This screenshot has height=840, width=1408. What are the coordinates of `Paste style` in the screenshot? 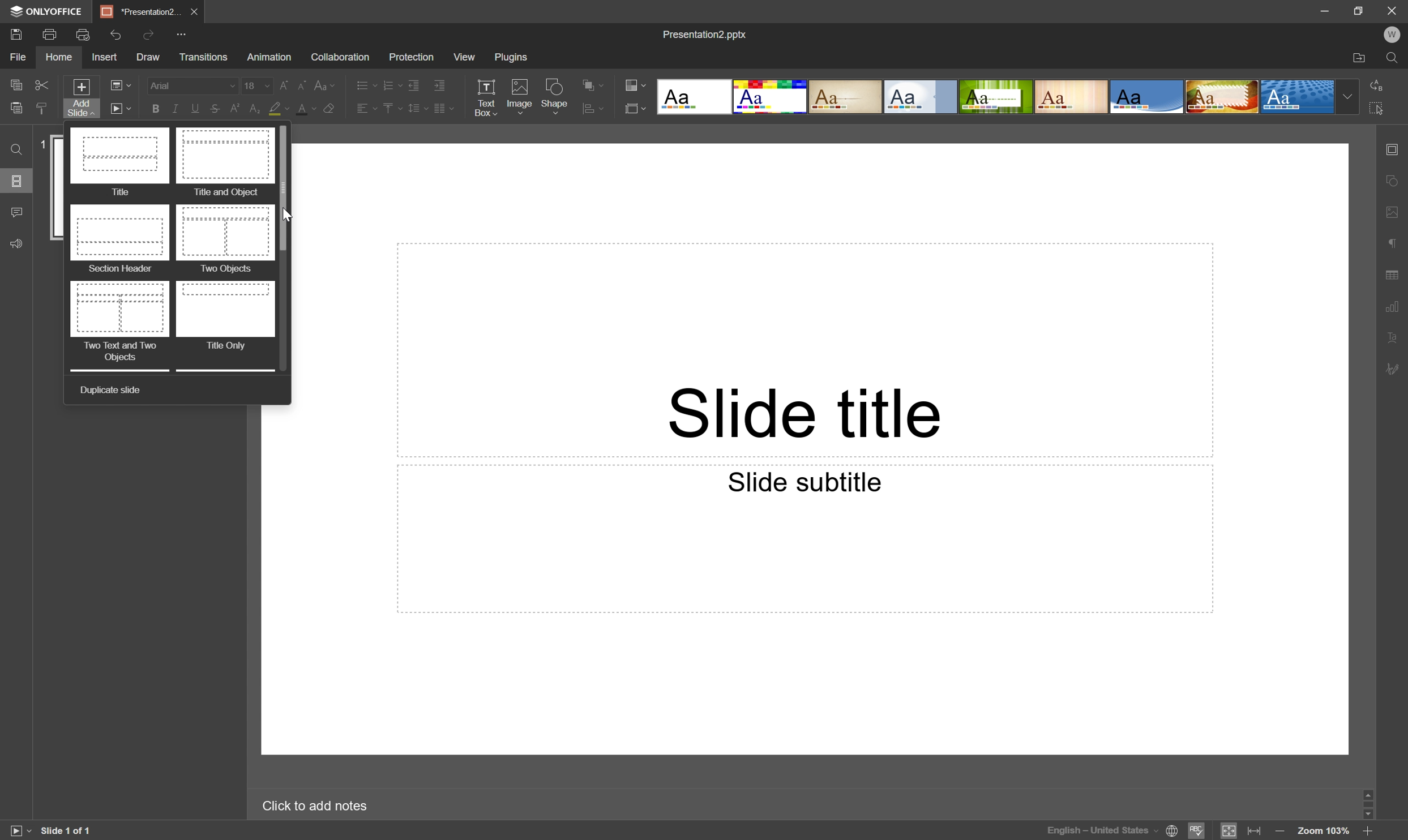 It's located at (41, 109).